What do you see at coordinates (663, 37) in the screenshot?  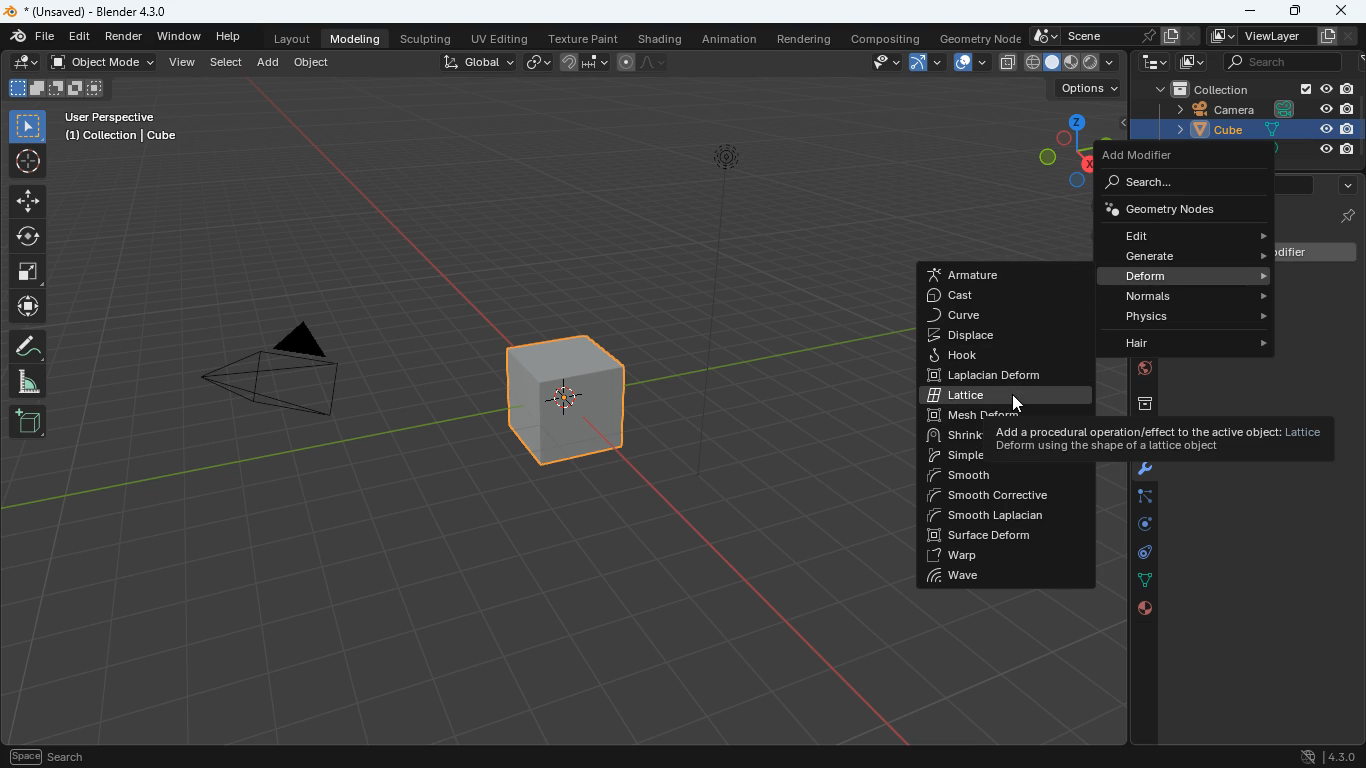 I see `shading` at bounding box center [663, 37].